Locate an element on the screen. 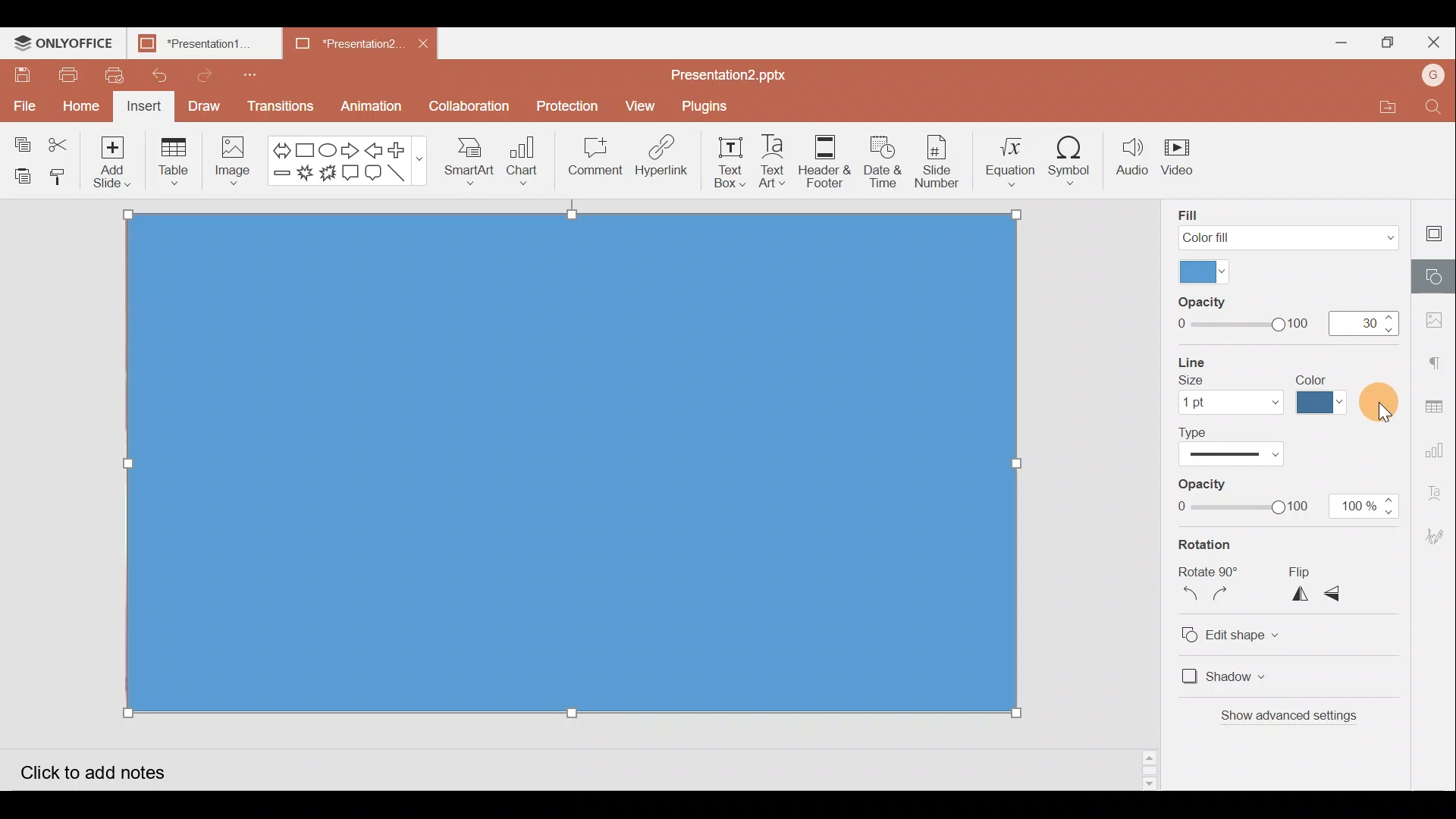 This screenshot has width=1456, height=819. Add slide is located at coordinates (114, 162).